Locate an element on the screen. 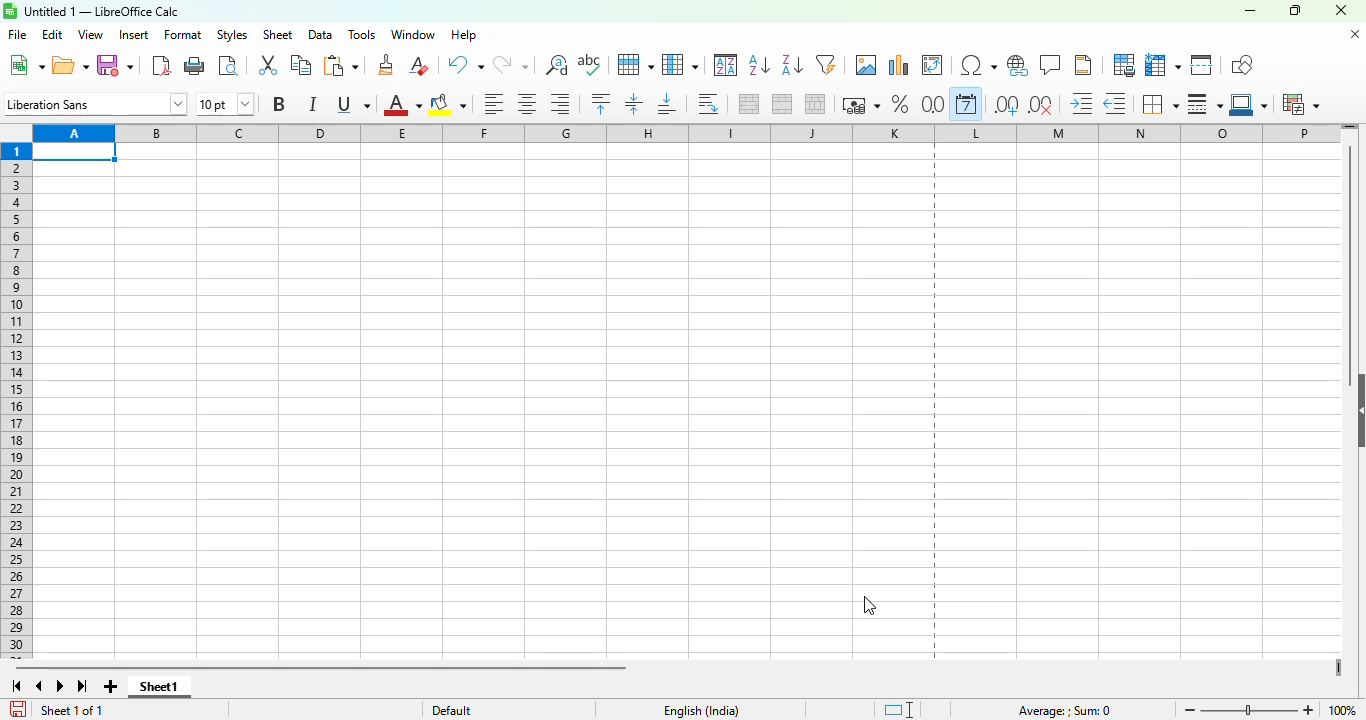 Image resolution: width=1366 pixels, height=720 pixels. format as number is located at coordinates (934, 103).